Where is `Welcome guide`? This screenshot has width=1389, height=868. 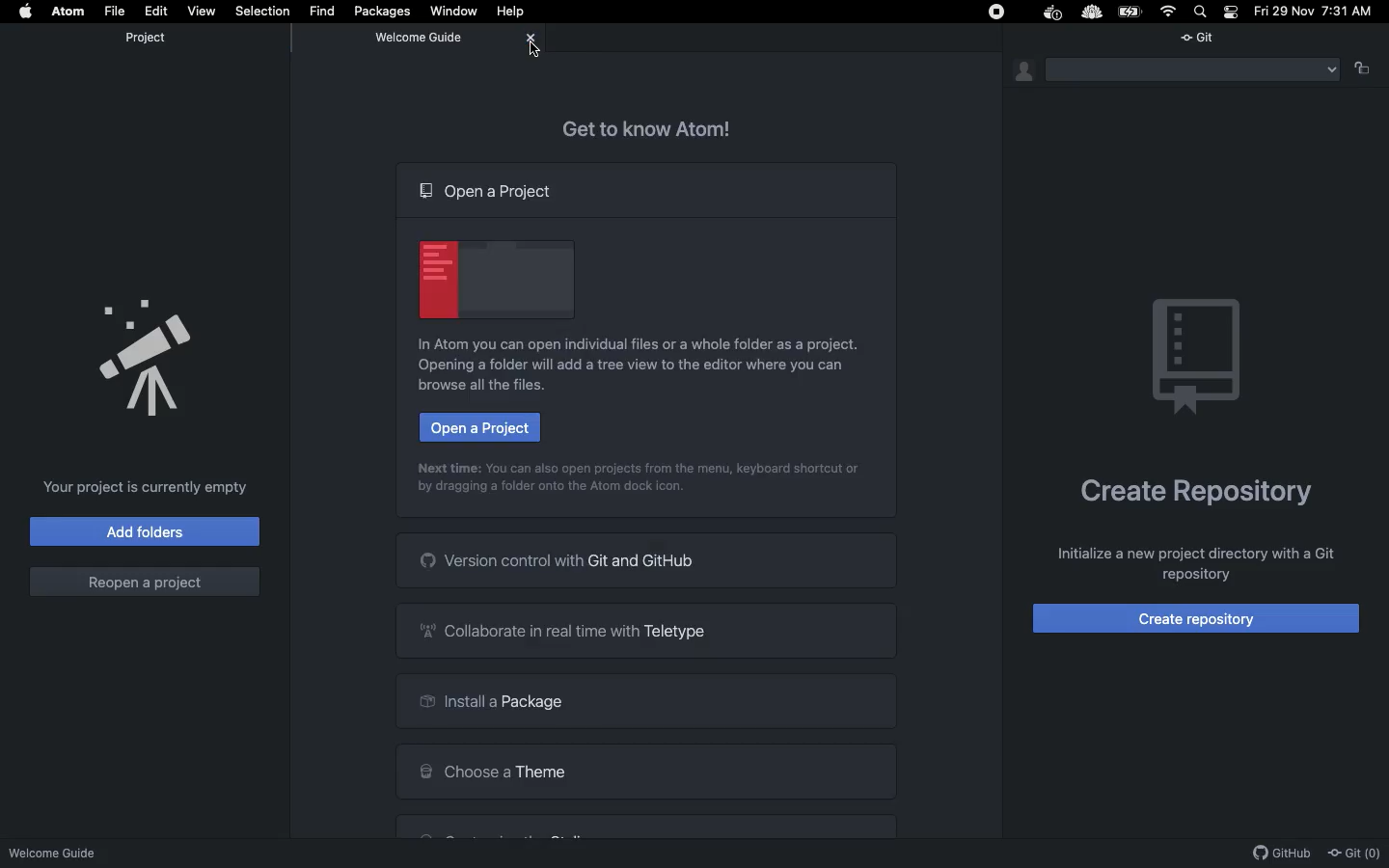 Welcome guide is located at coordinates (419, 38).